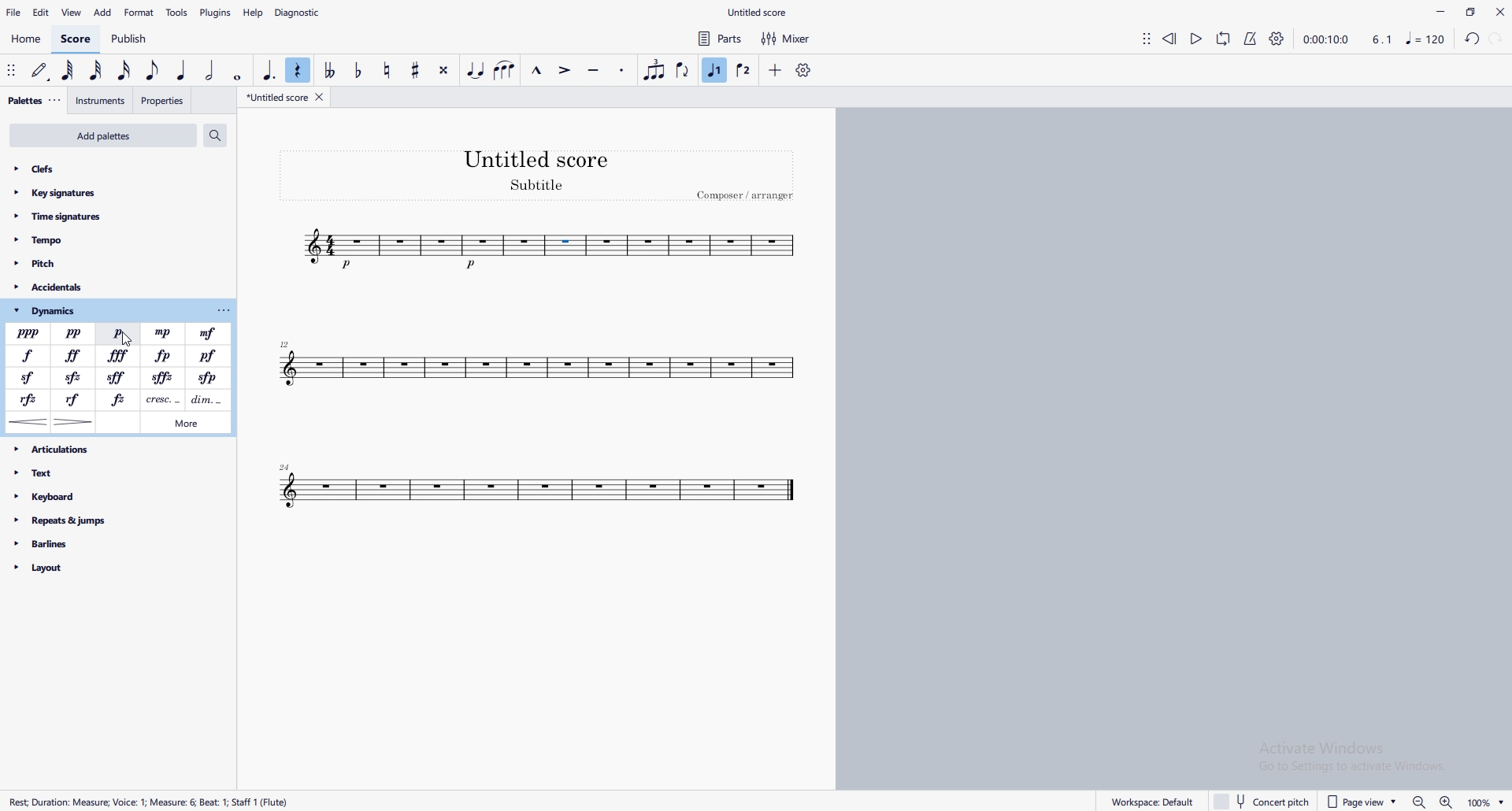  I want to click on clefs, so click(102, 168).